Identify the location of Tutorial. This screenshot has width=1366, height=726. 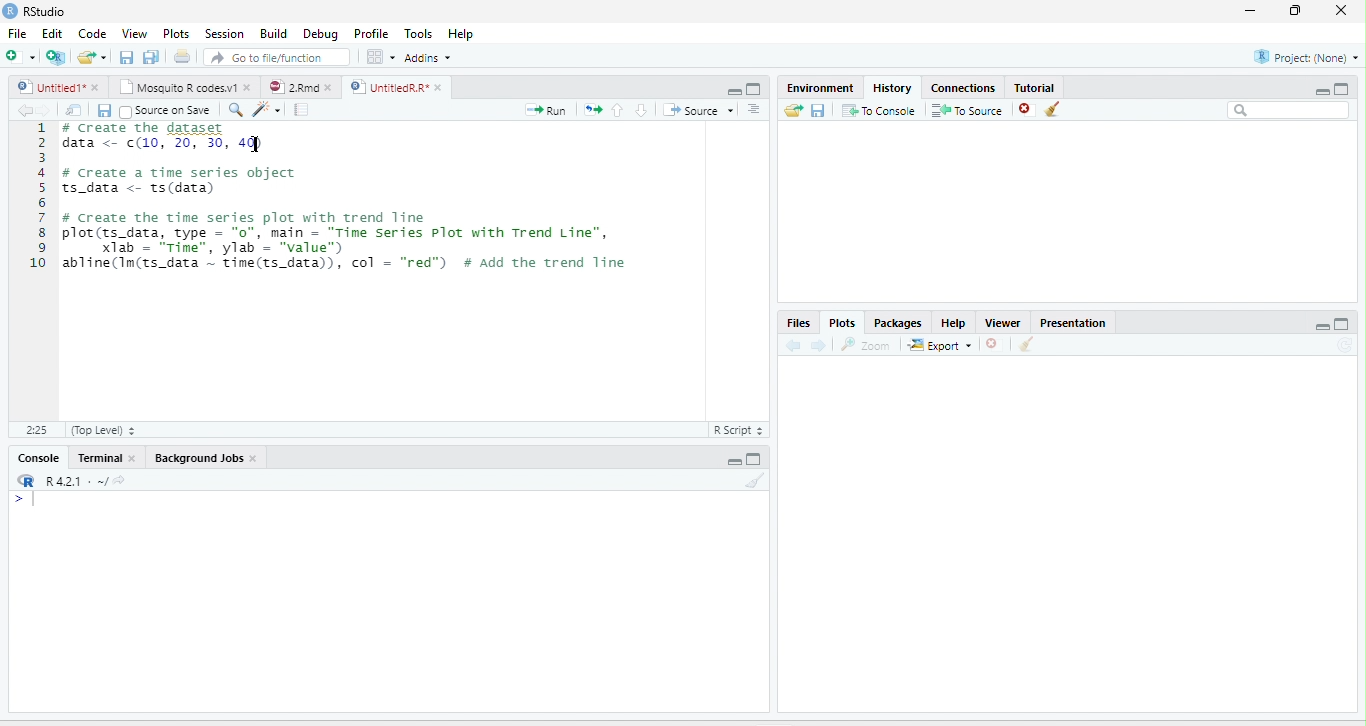
(1036, 87).